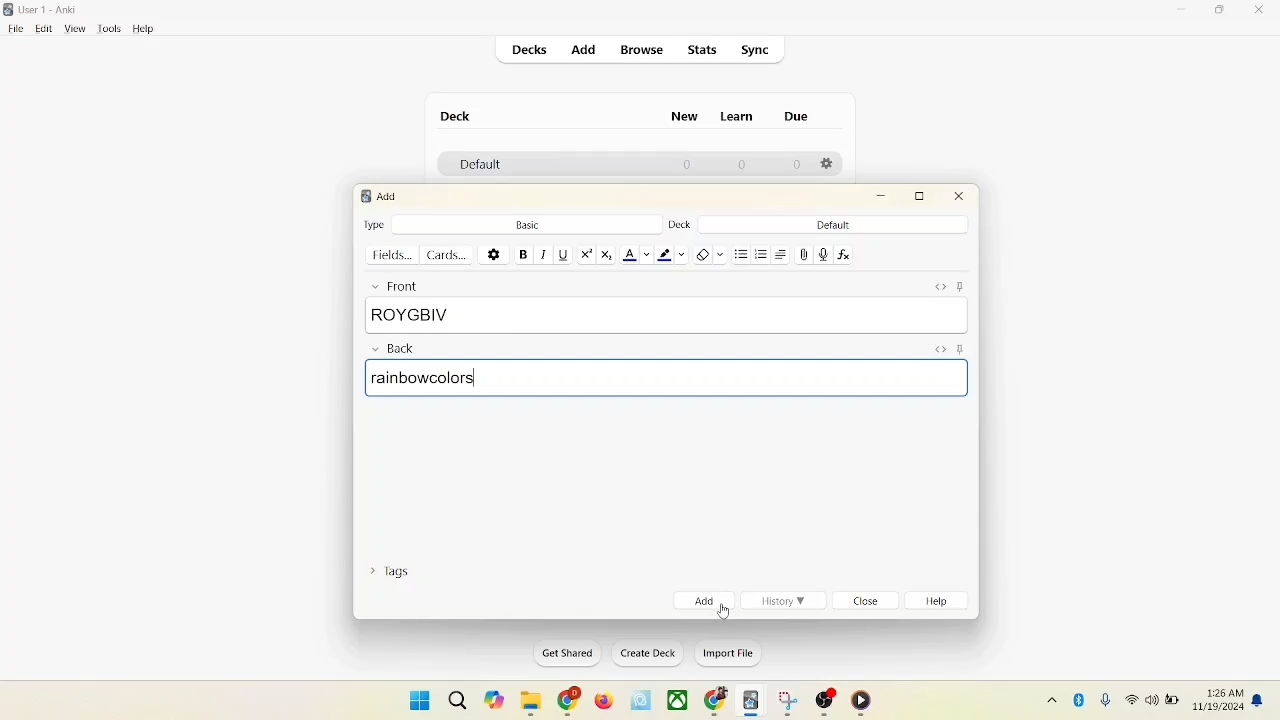 This screenshot has height=720, width=1280. What do you see at coordinates (833, 225) in the screenshot?
I see `default` at bounding box center [833, 225].